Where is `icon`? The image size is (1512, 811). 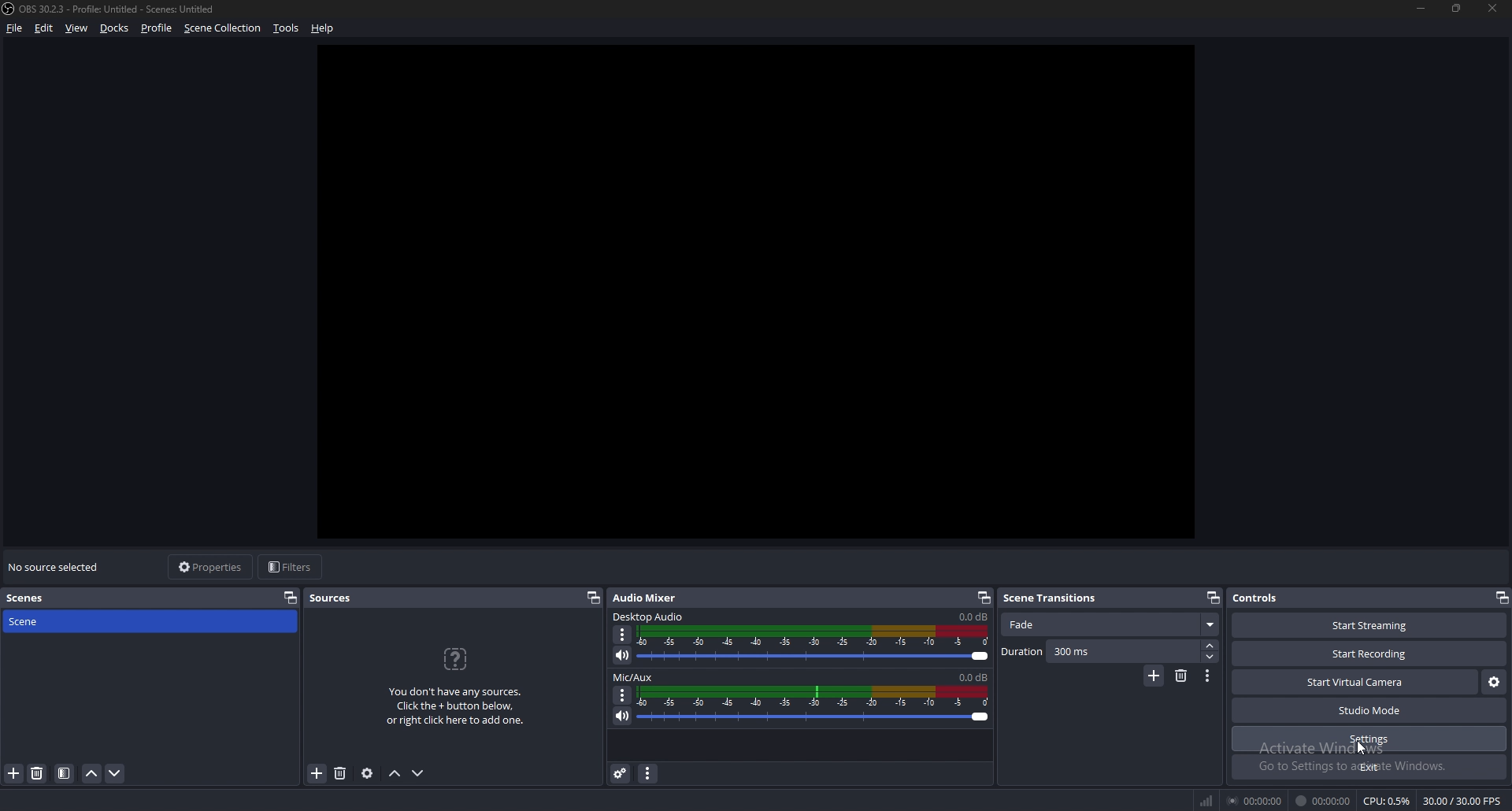
icon is located at coordinates (456, 657).